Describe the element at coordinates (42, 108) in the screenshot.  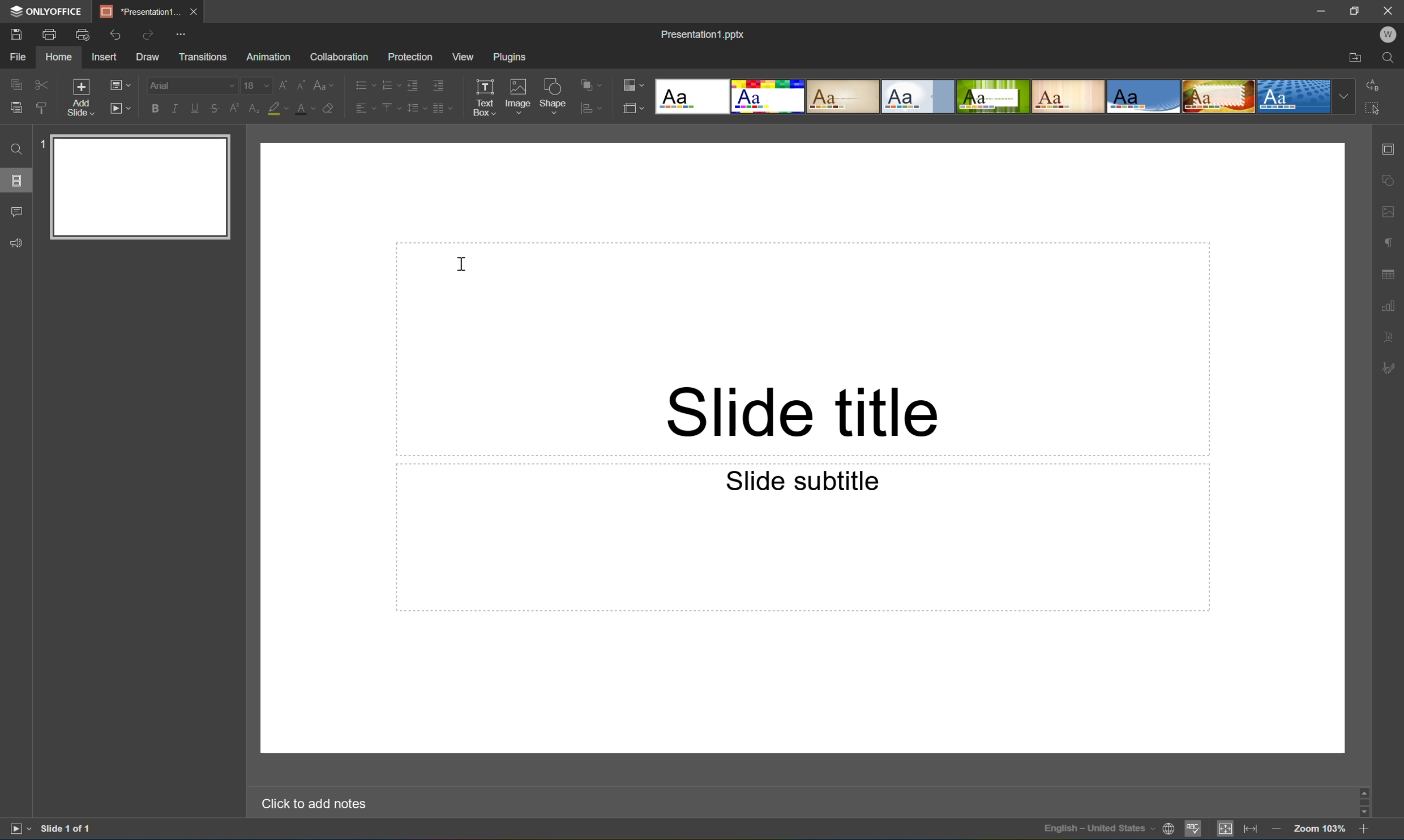
I see `Copy style` at that location.